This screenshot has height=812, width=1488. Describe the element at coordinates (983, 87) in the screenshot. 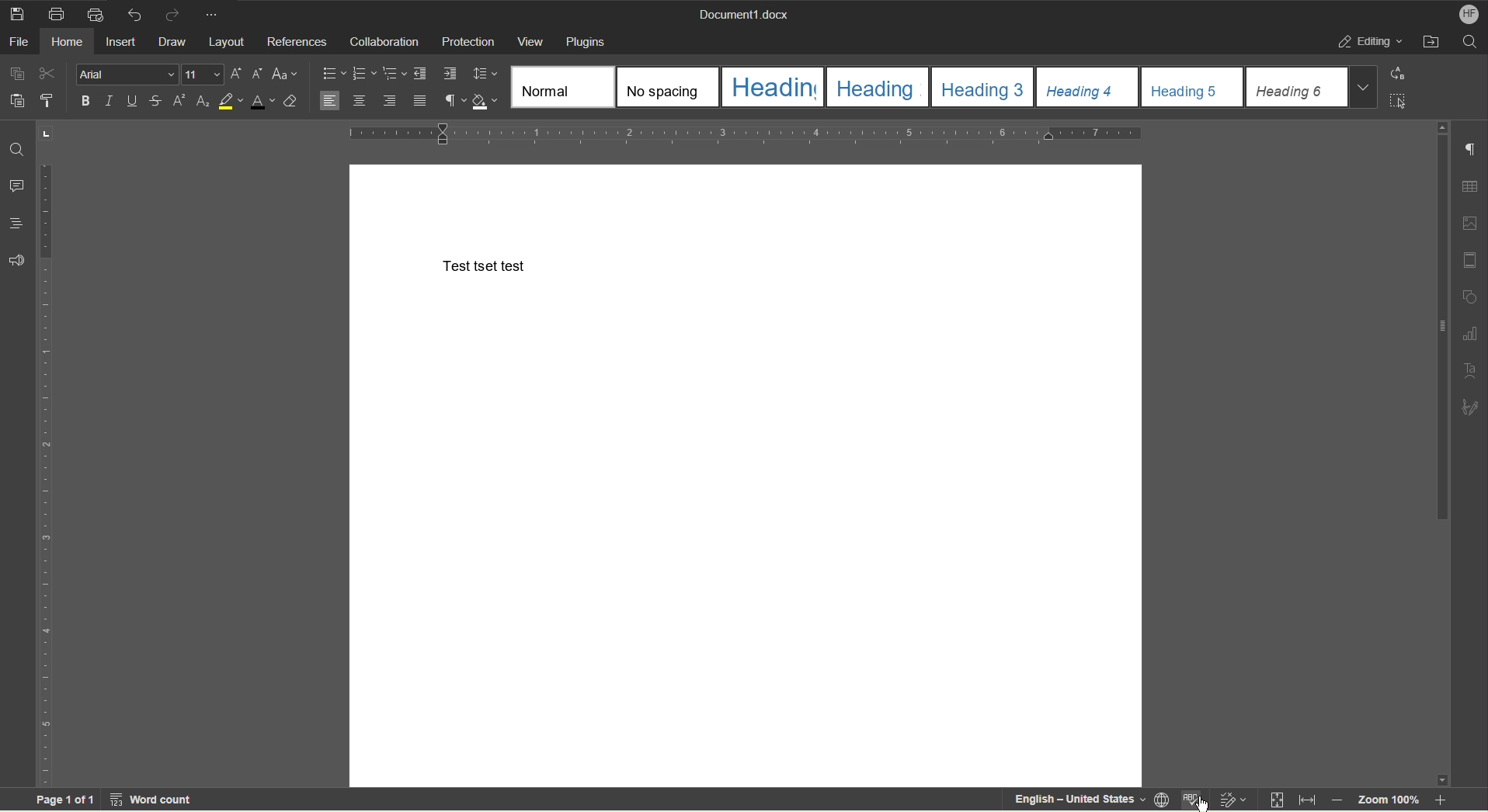

I see `Heading 3` at that location.